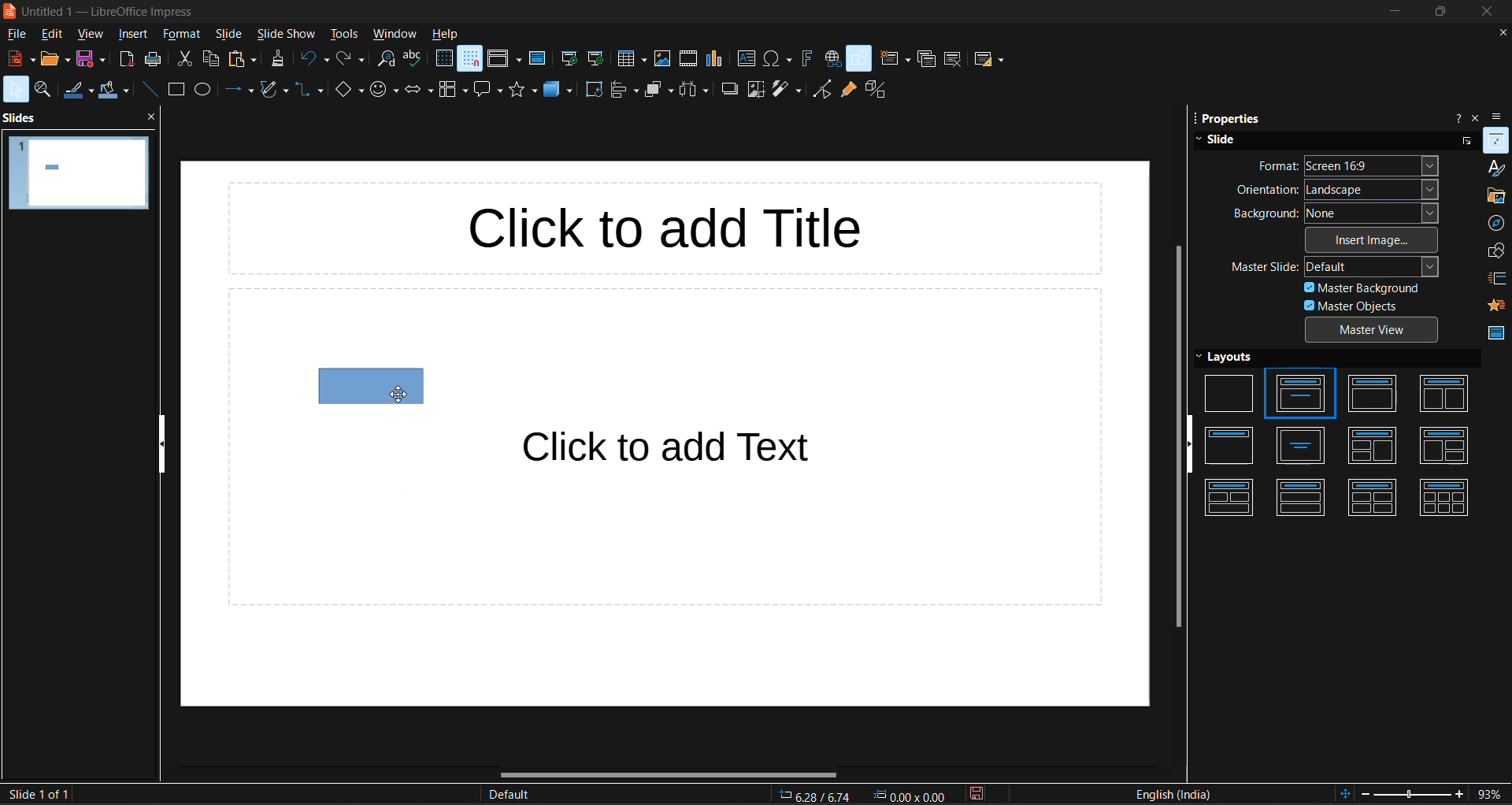  I want to click on cursor, so click(400, 397).